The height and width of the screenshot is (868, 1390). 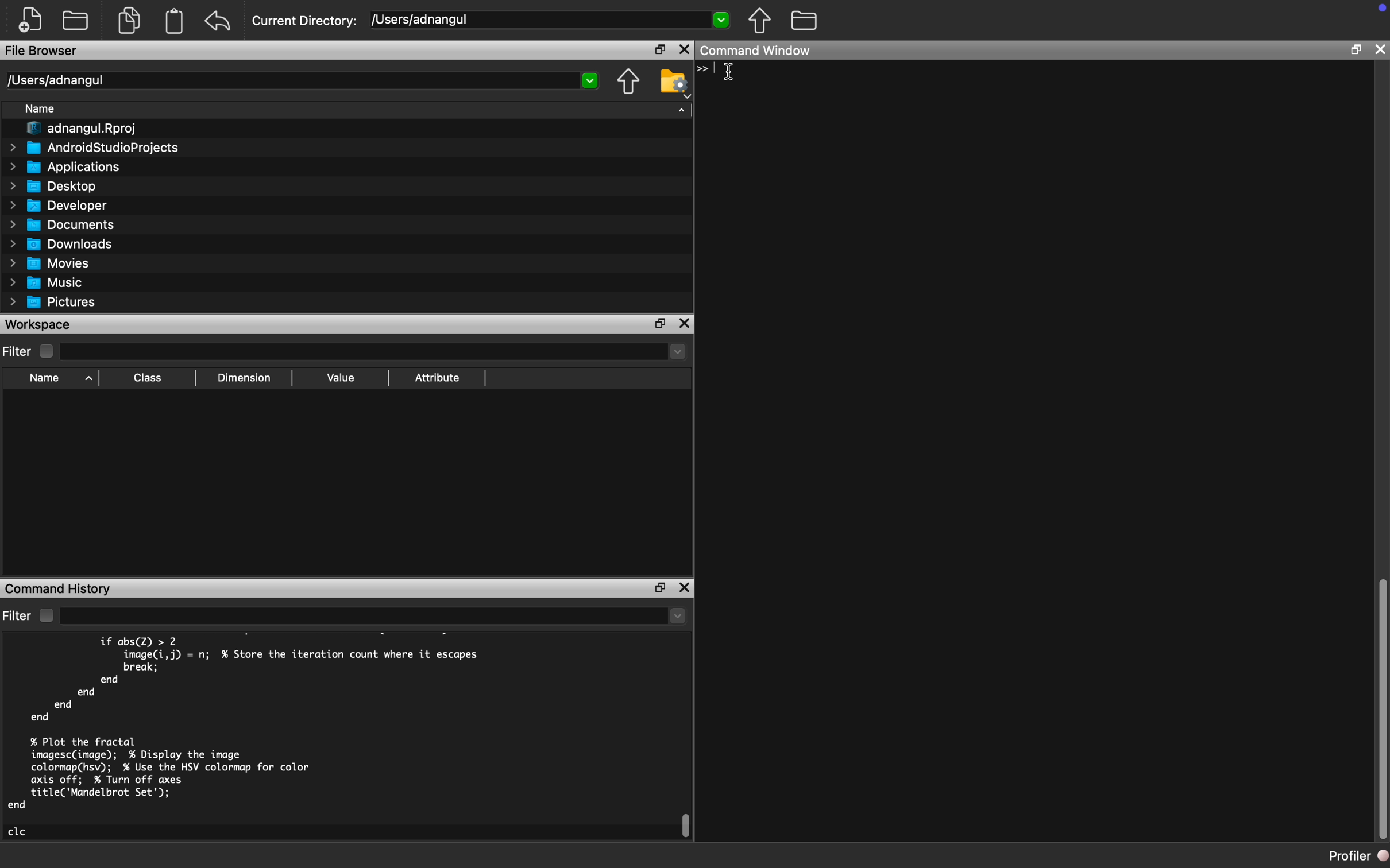 What do you see at coordinates (39, 108) in the screenshot?
I see `Name` at bounding box center [39, 108].